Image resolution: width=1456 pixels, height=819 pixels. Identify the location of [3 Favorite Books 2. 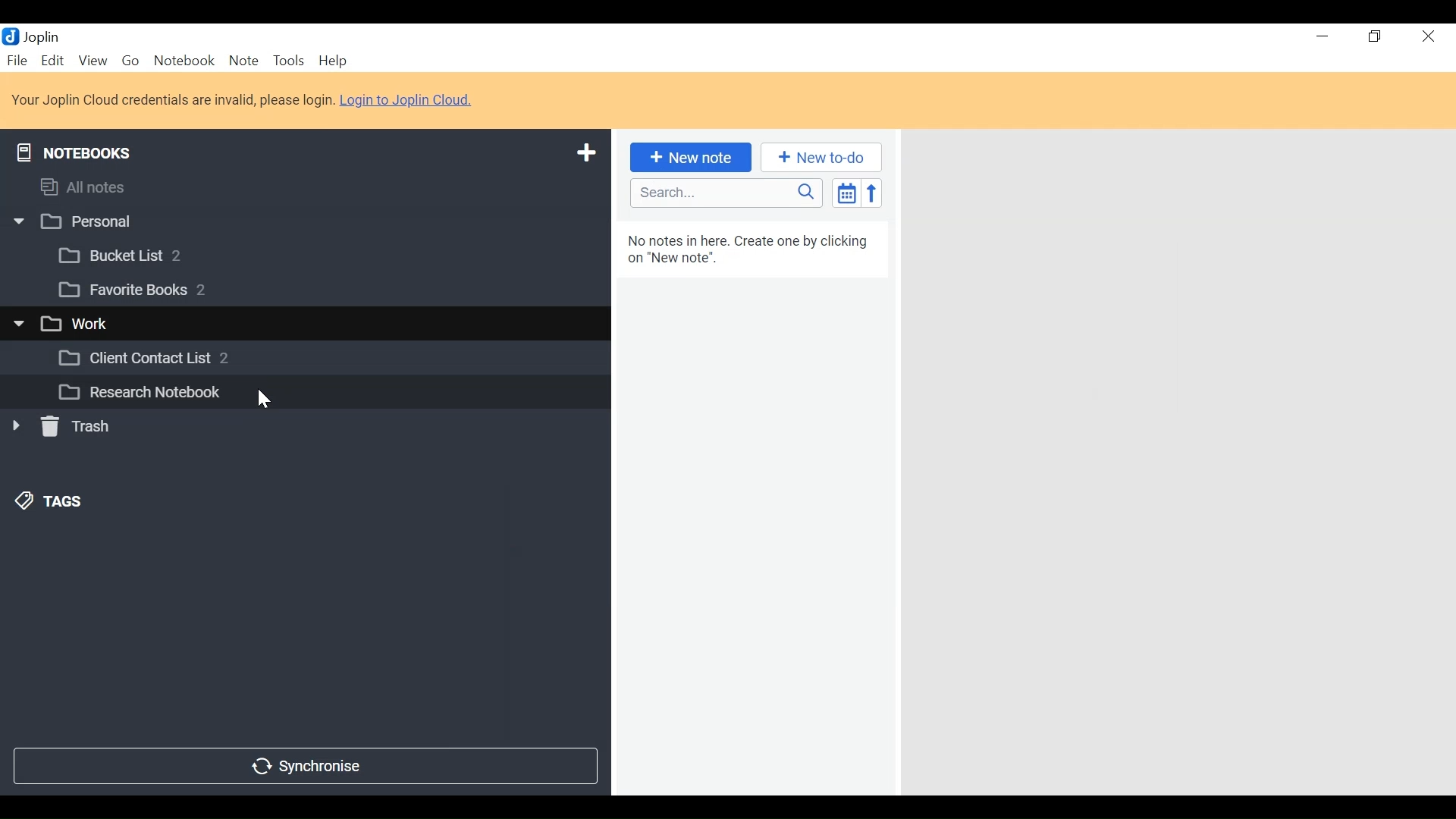
(145, 290).